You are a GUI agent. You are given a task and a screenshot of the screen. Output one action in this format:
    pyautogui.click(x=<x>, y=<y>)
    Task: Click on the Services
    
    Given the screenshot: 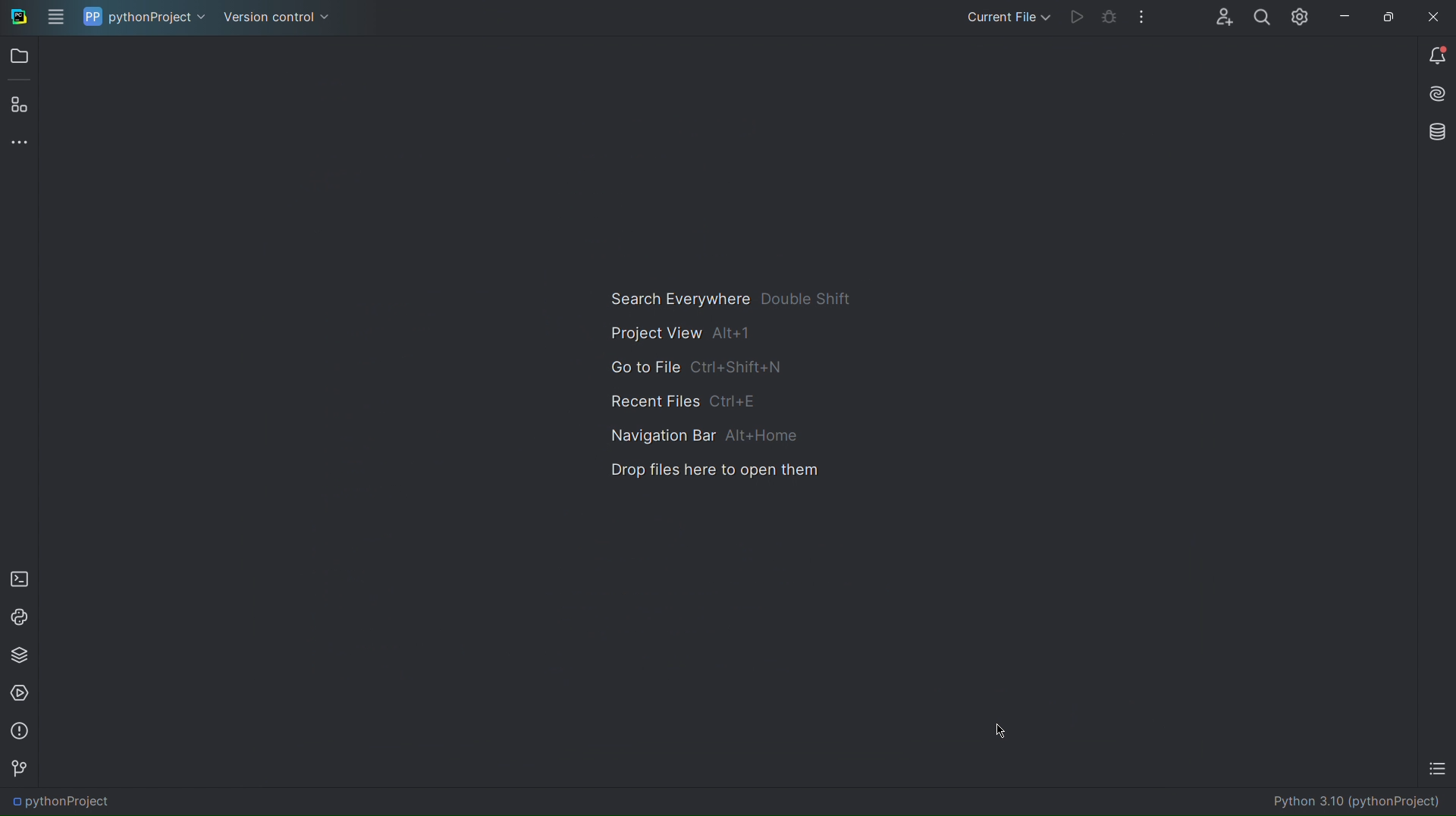 What is the action you would take?
    pyautogui.click(x=21, y=693)
    